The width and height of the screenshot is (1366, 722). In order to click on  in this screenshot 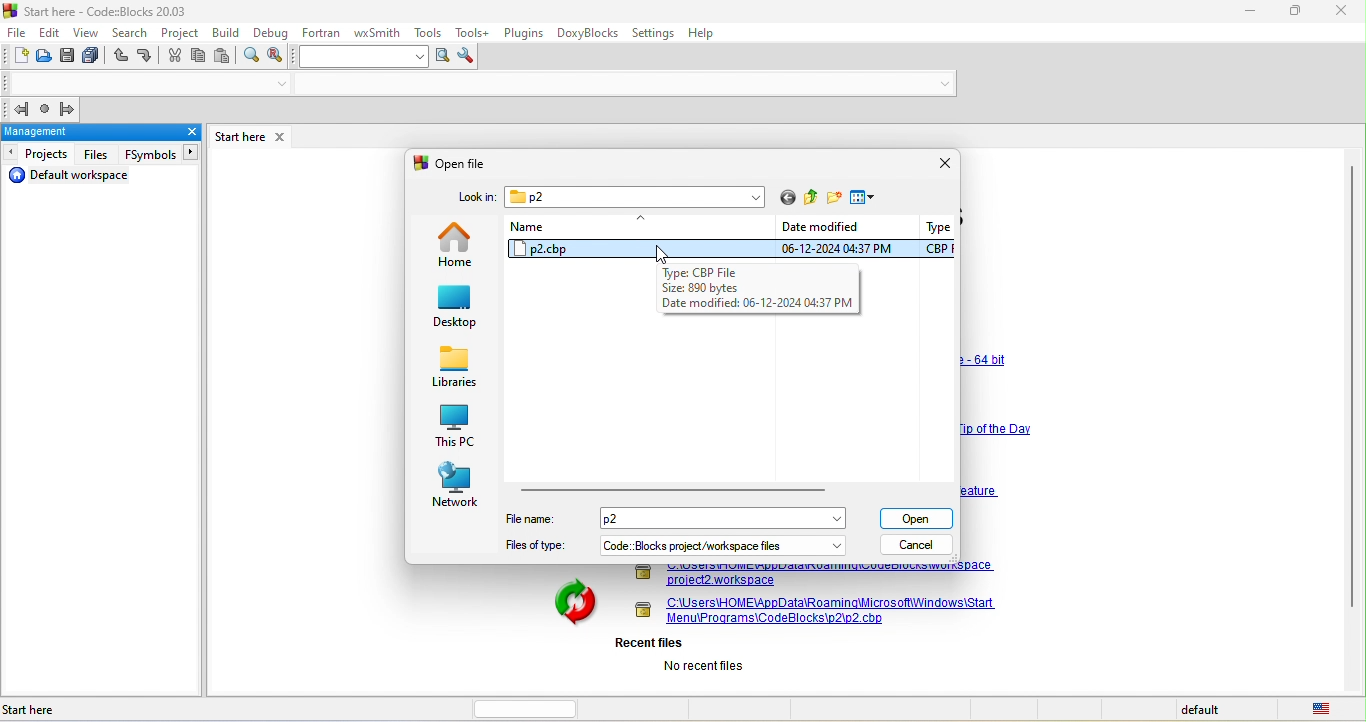, I will do `click(938, 237)`.